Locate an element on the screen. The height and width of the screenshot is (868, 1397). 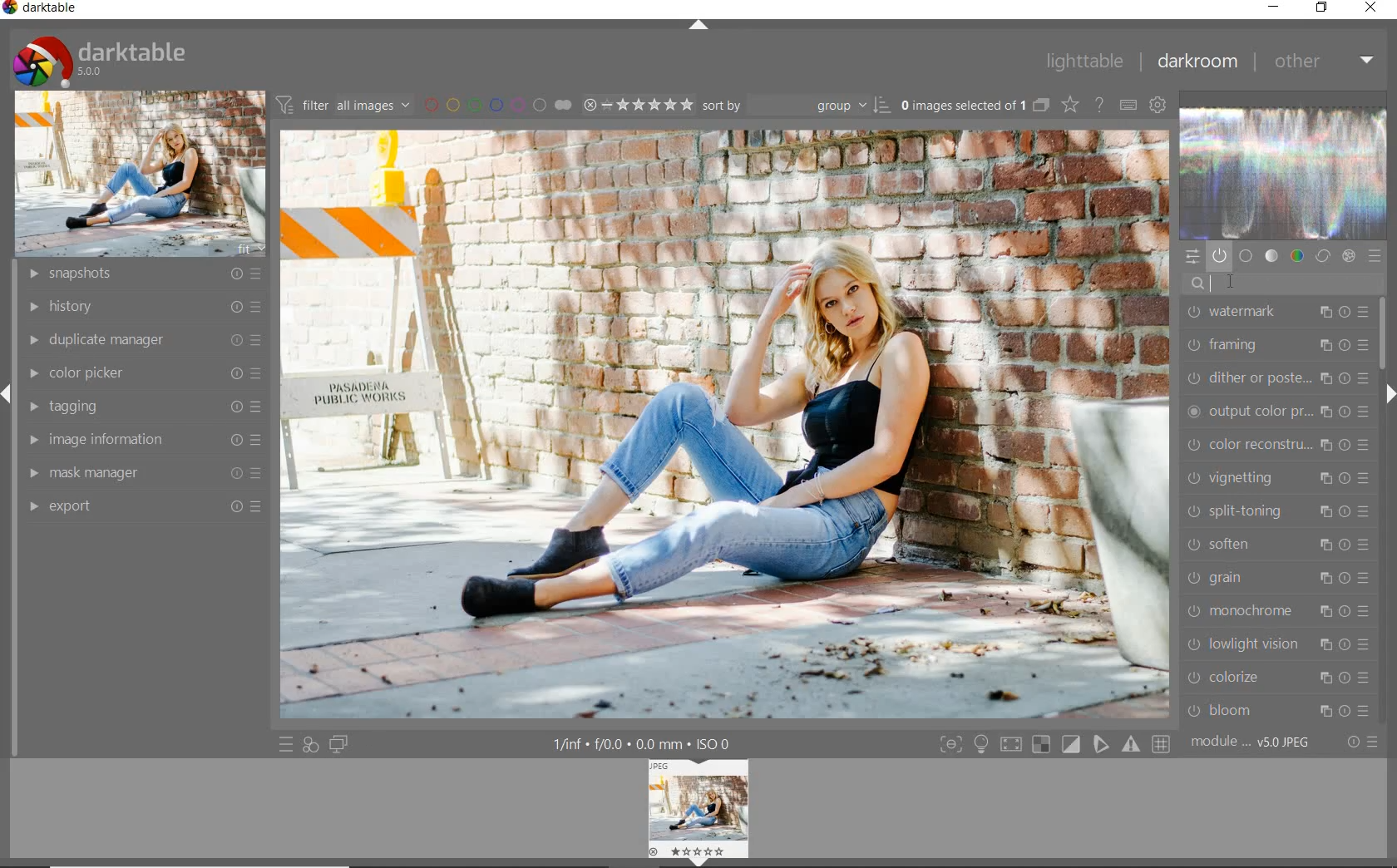
export is located at coordinates (141, 506).